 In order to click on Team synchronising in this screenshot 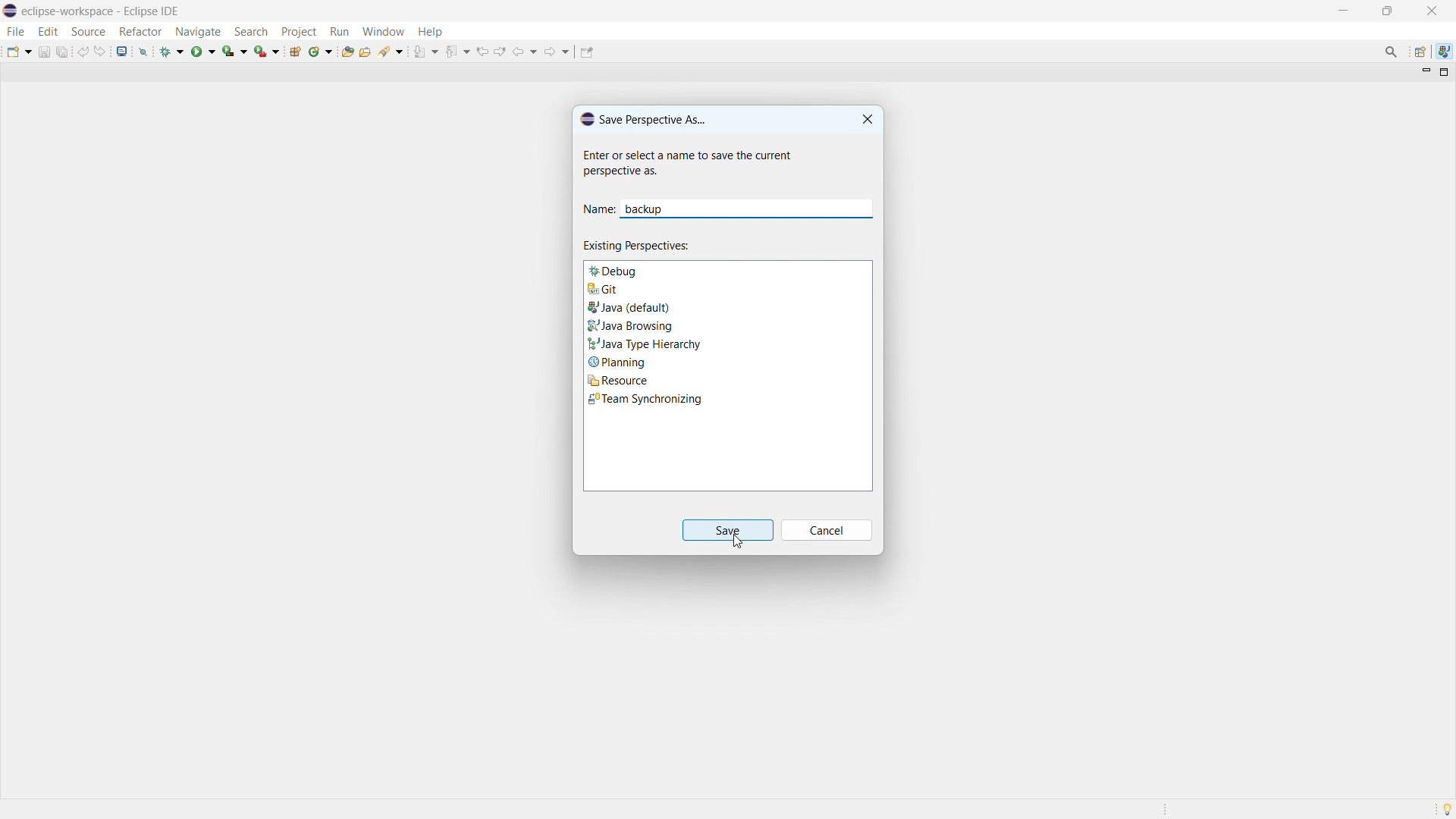, I will do `click(726, 399)`.